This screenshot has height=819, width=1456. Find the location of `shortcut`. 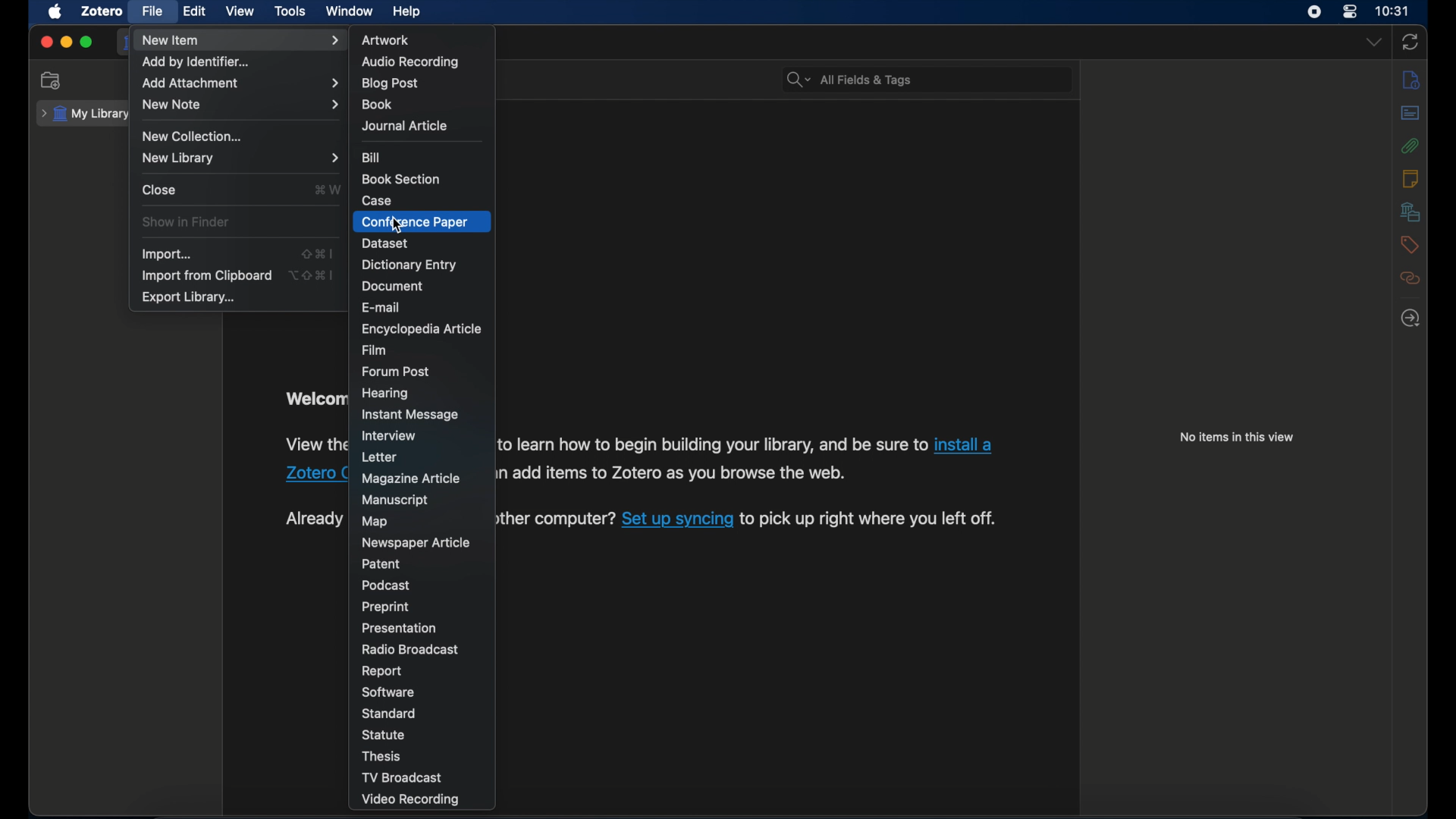

shortcut is located at coordinates (328, 189).